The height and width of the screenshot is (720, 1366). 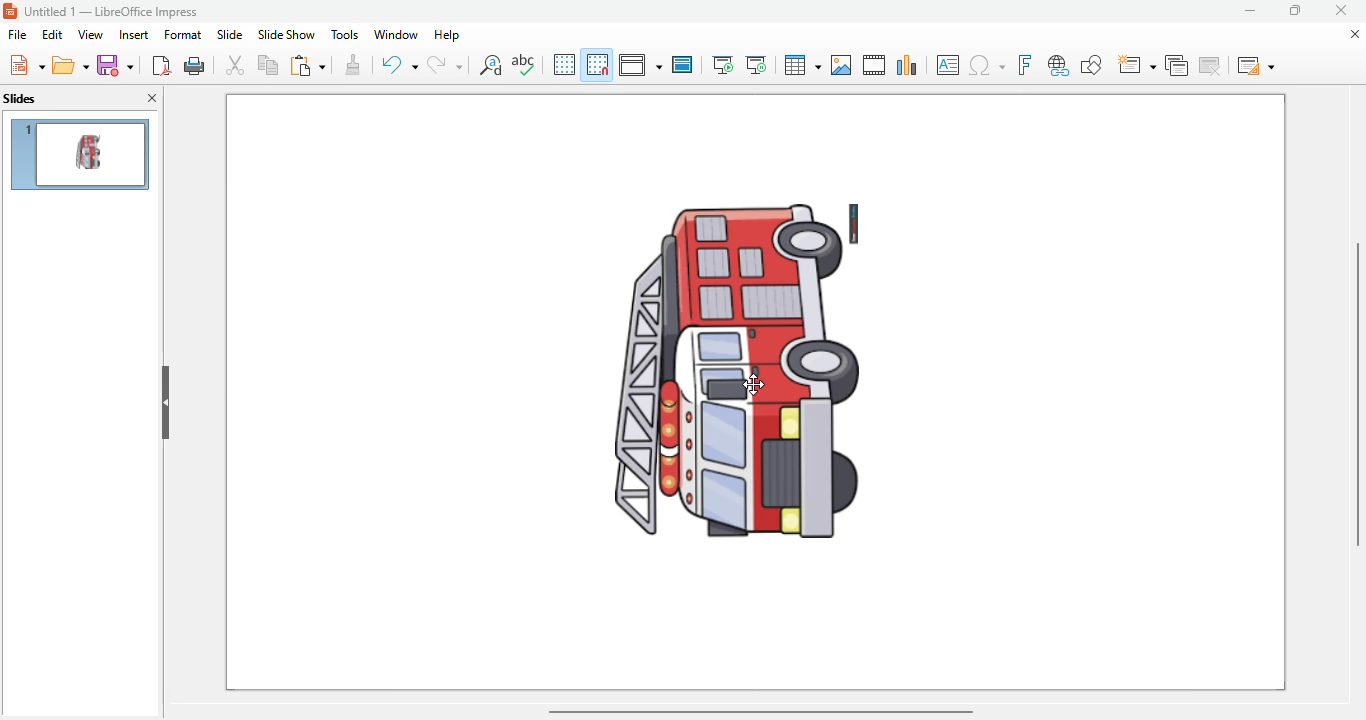 What do you see at coordinates (18, 34) in the screenshot?
I see `file` at bounding box center [18, 34].